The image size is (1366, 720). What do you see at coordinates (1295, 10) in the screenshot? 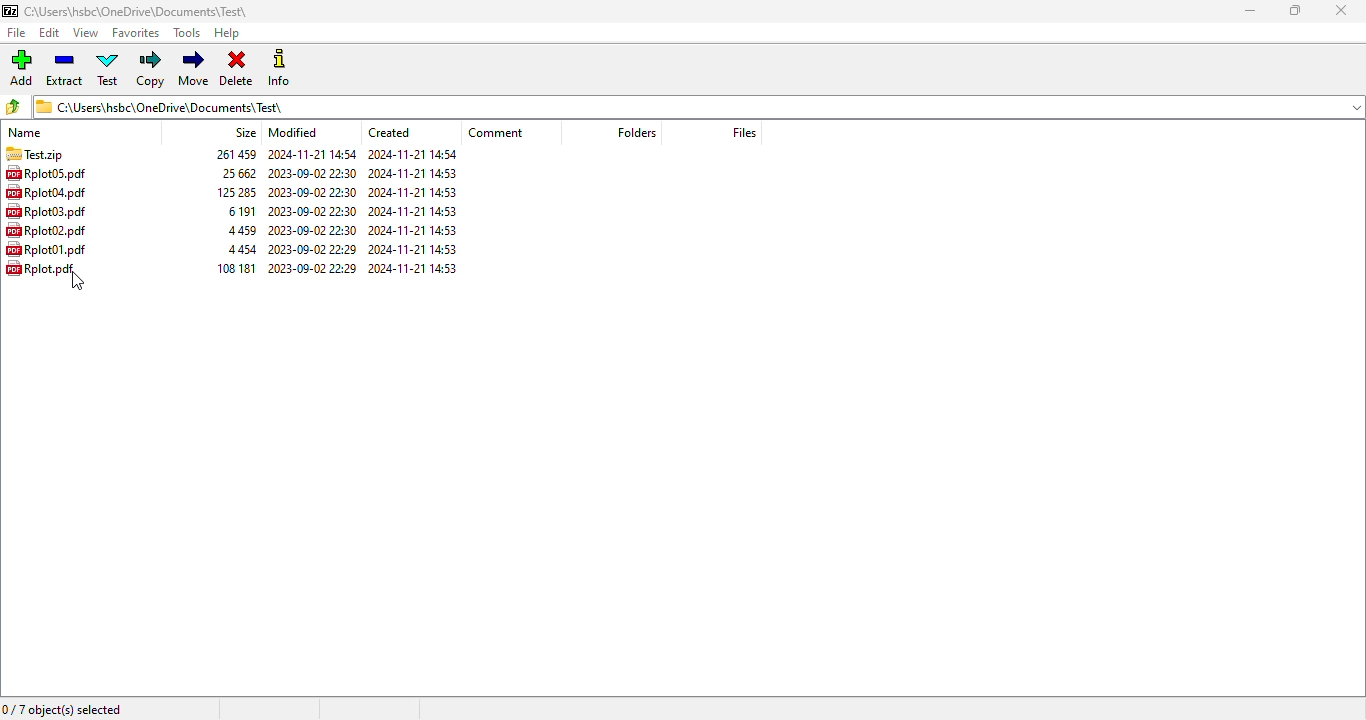
I see `maximize` at bounding box center [1295, 10].